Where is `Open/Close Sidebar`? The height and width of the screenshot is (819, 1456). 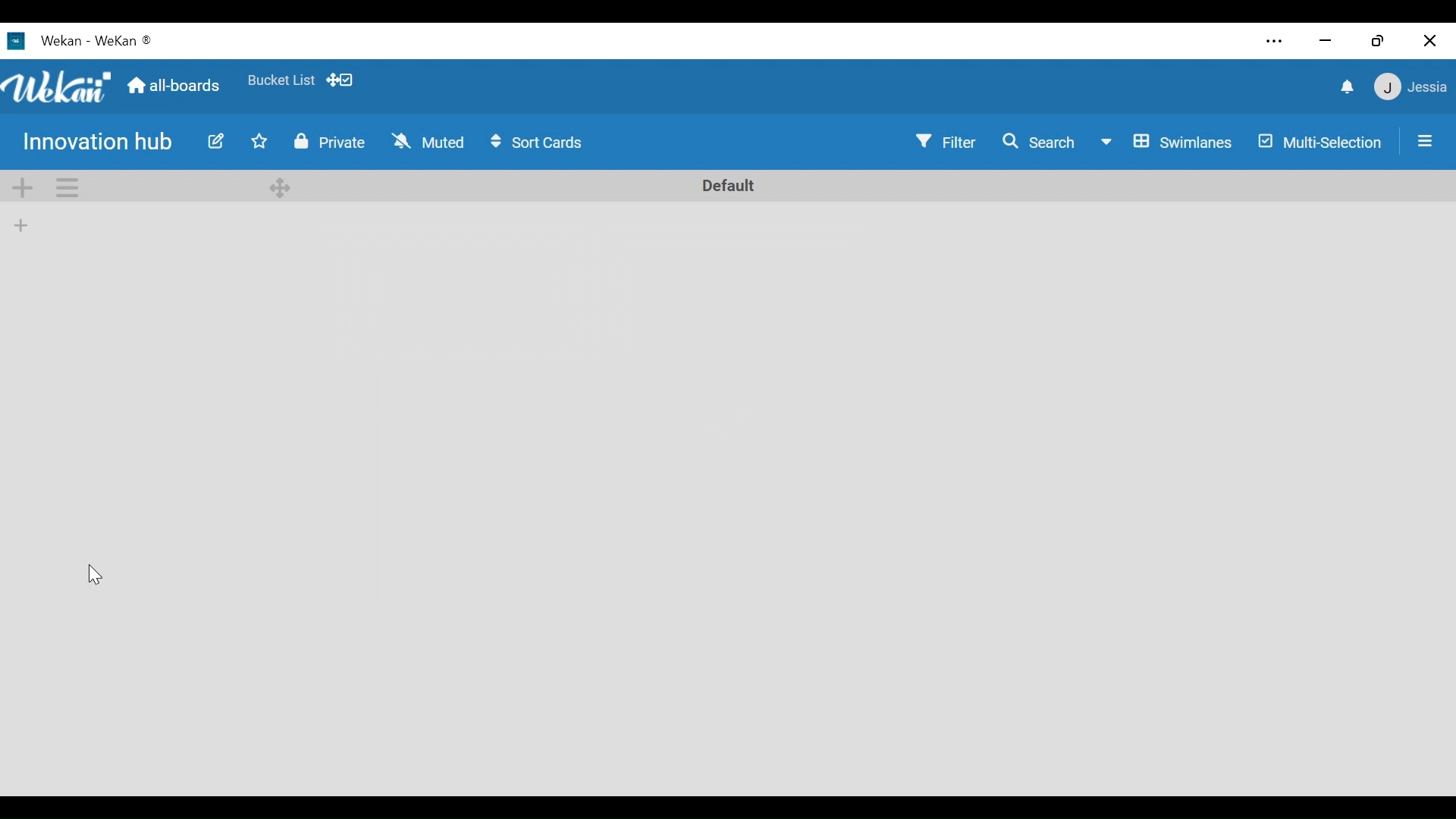
Open/Close Sidebar is located at coordinates (1423, 143).